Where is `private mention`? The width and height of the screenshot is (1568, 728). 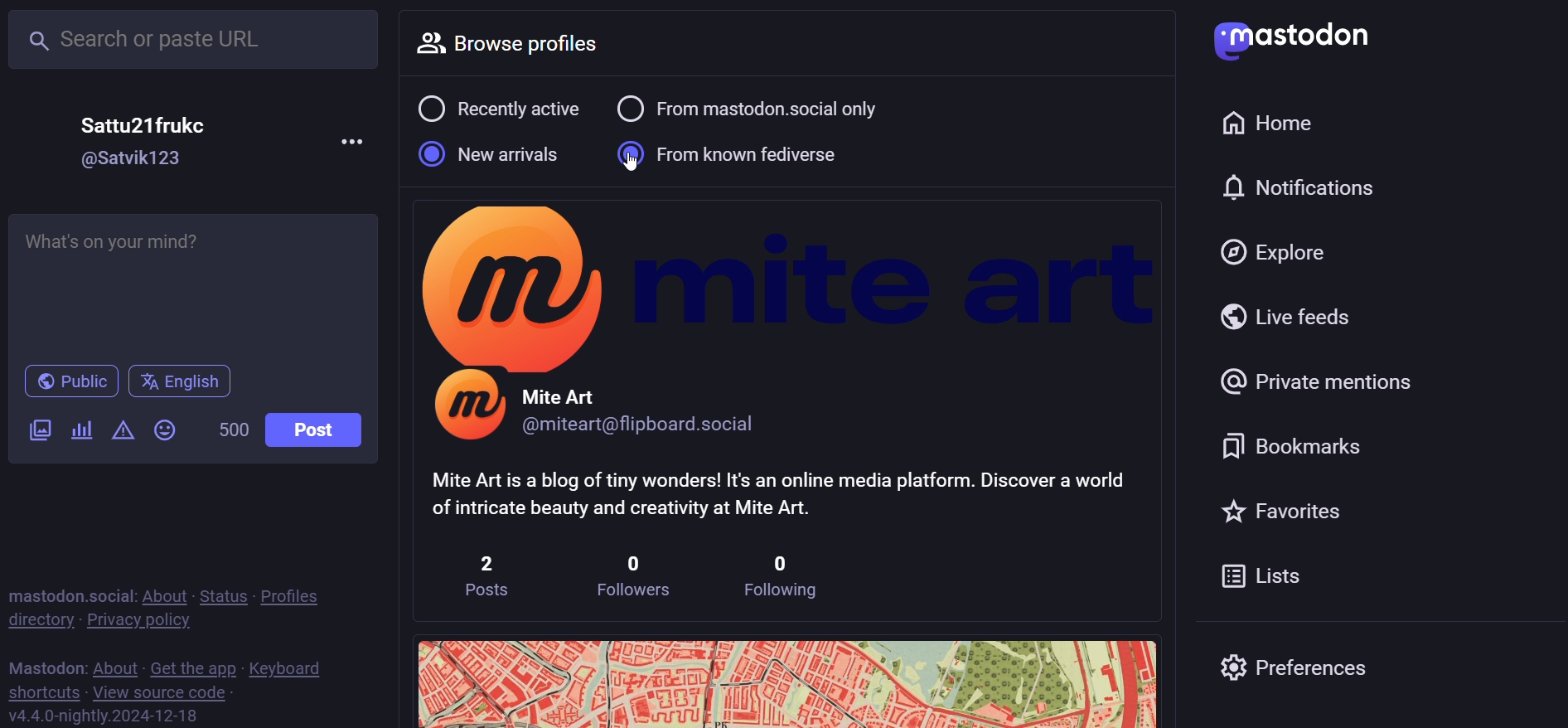
private mention is located at coordinates (1325, 380).